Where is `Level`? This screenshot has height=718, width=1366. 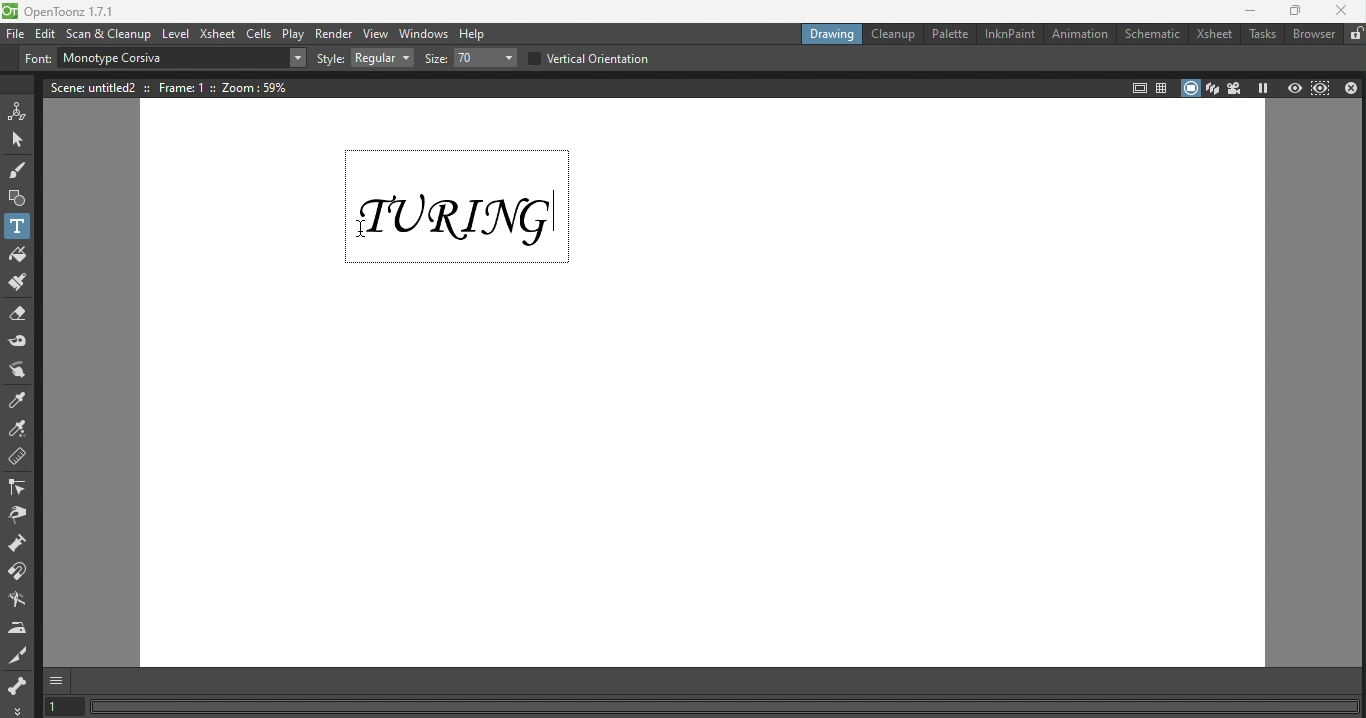
Level is located at coordinates (178, 36).